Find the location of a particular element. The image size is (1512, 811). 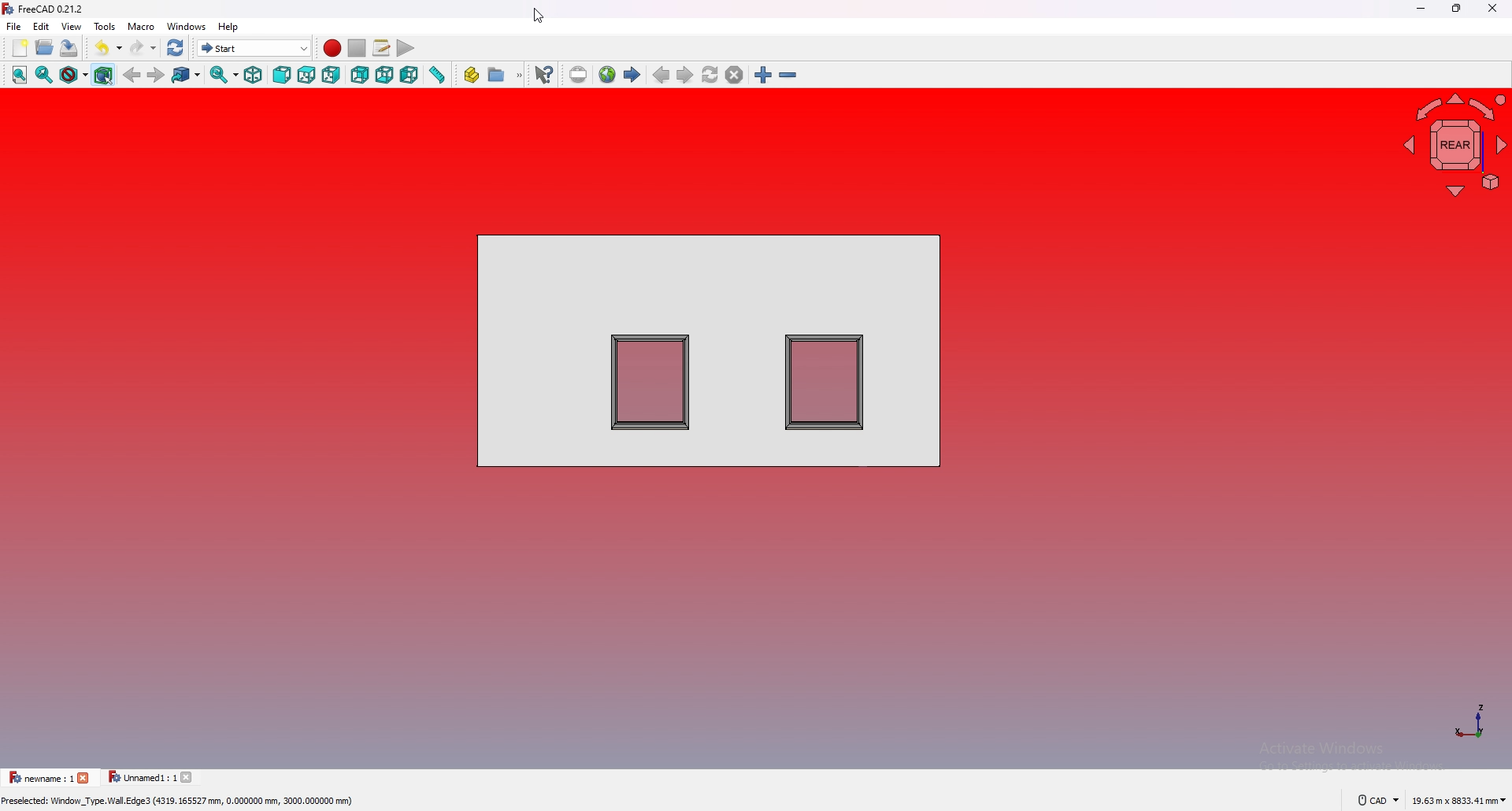

isometric is located at coordinates (253, 75).